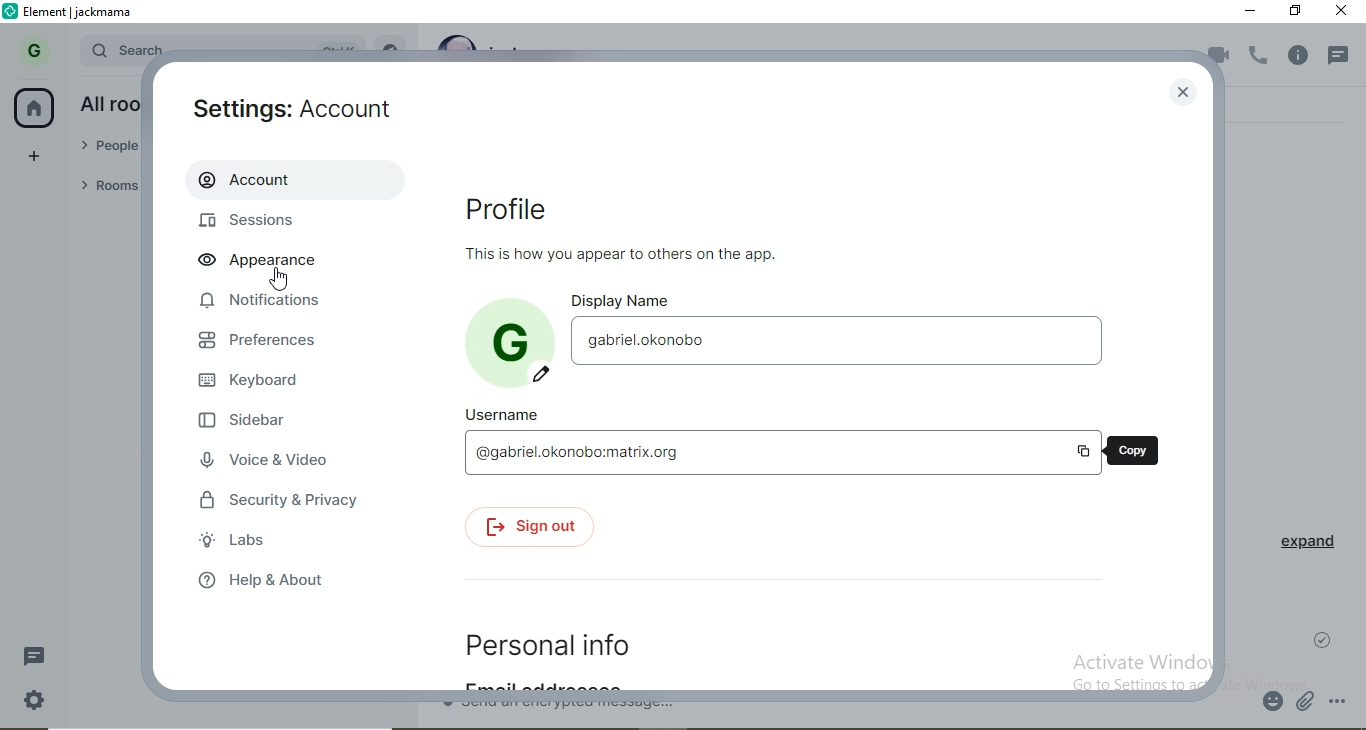 This screenshot has height=730, width=1366. What do you see at coordinates (1146, 658) in the screenshot?
I see `Activate Windows` at bounding box center [1146, 658].